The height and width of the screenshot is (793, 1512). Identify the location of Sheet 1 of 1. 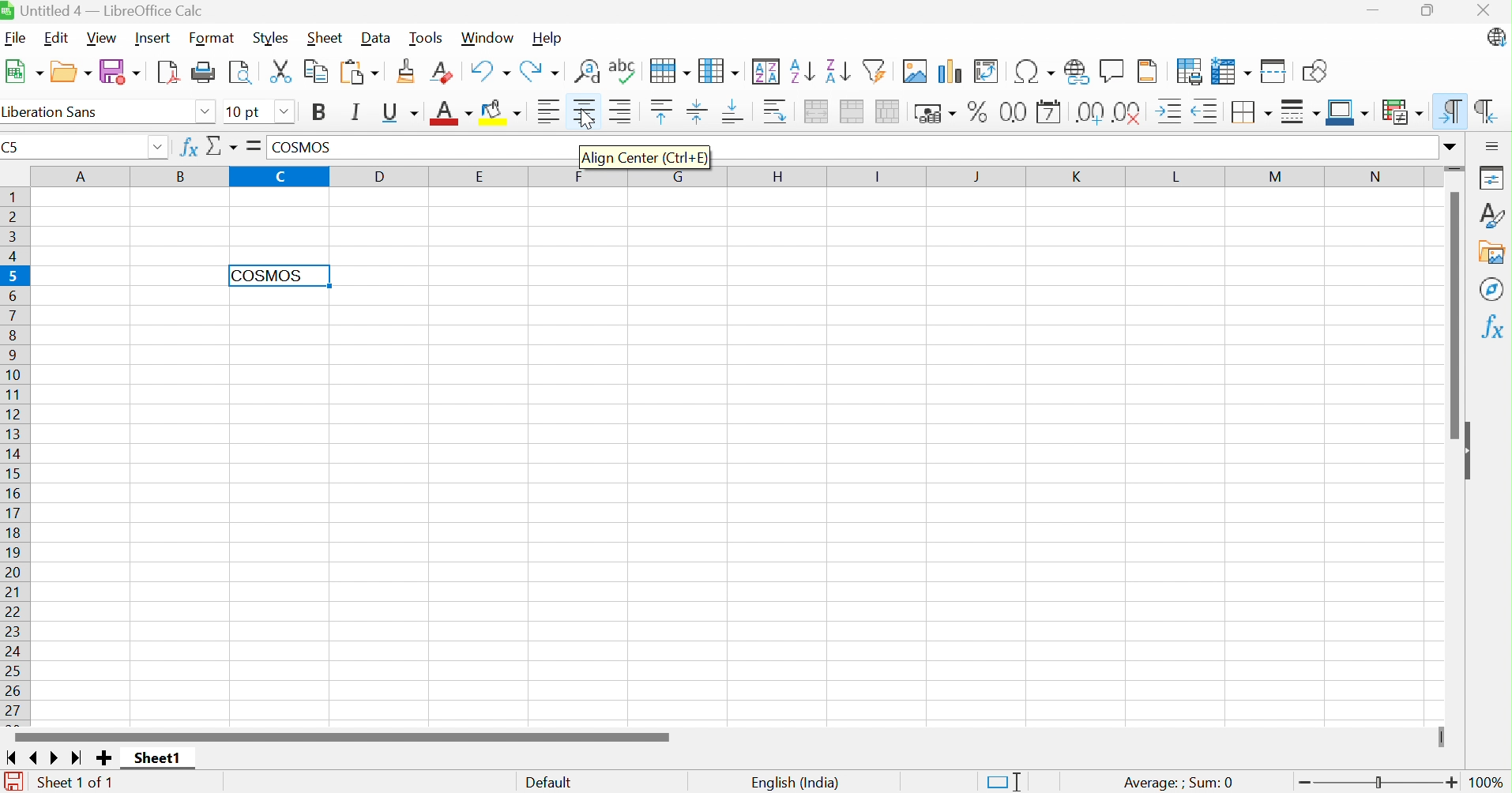
(78, 784).